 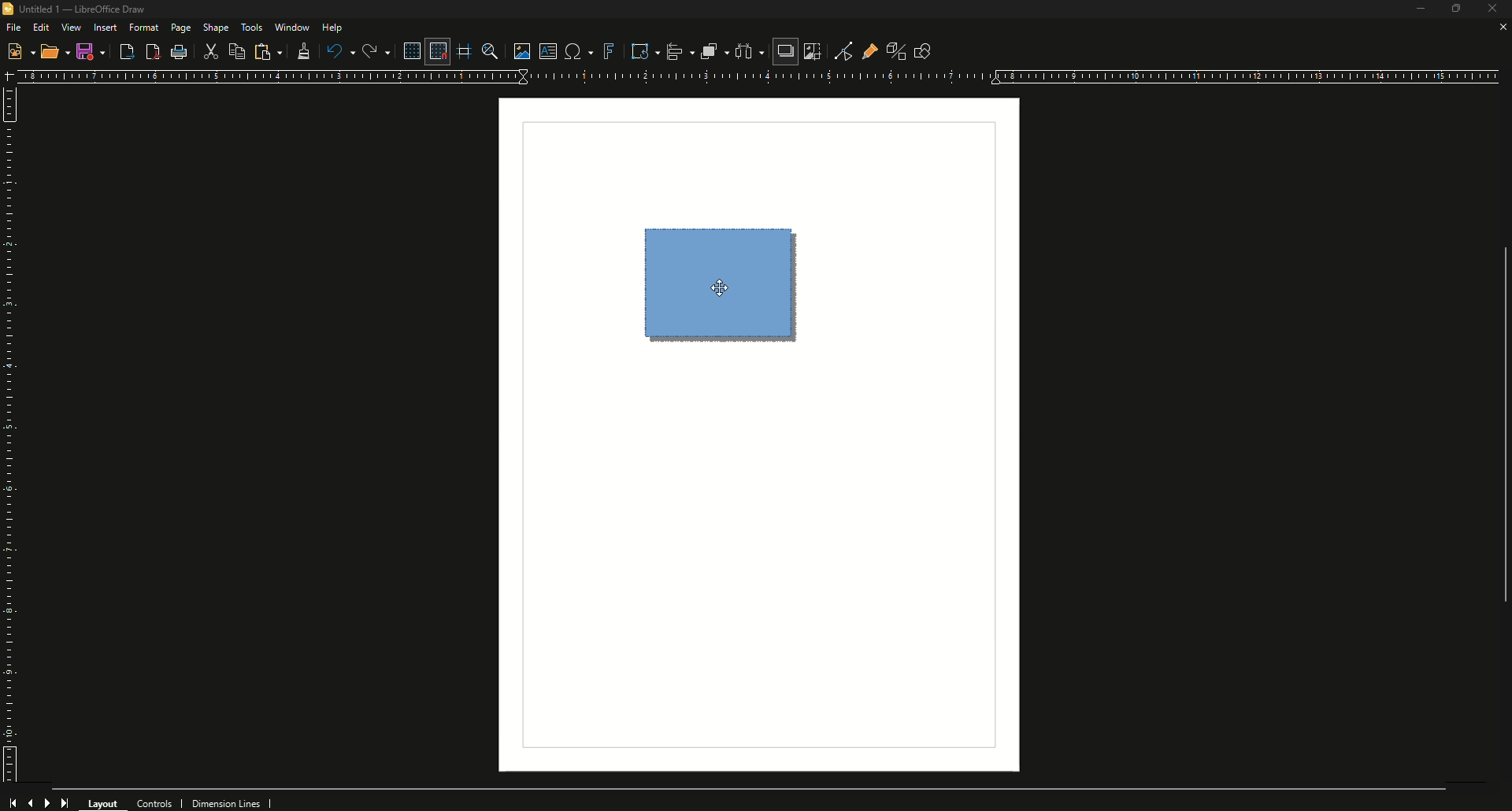 I want to click on Controls, so click(x=159, y=802).